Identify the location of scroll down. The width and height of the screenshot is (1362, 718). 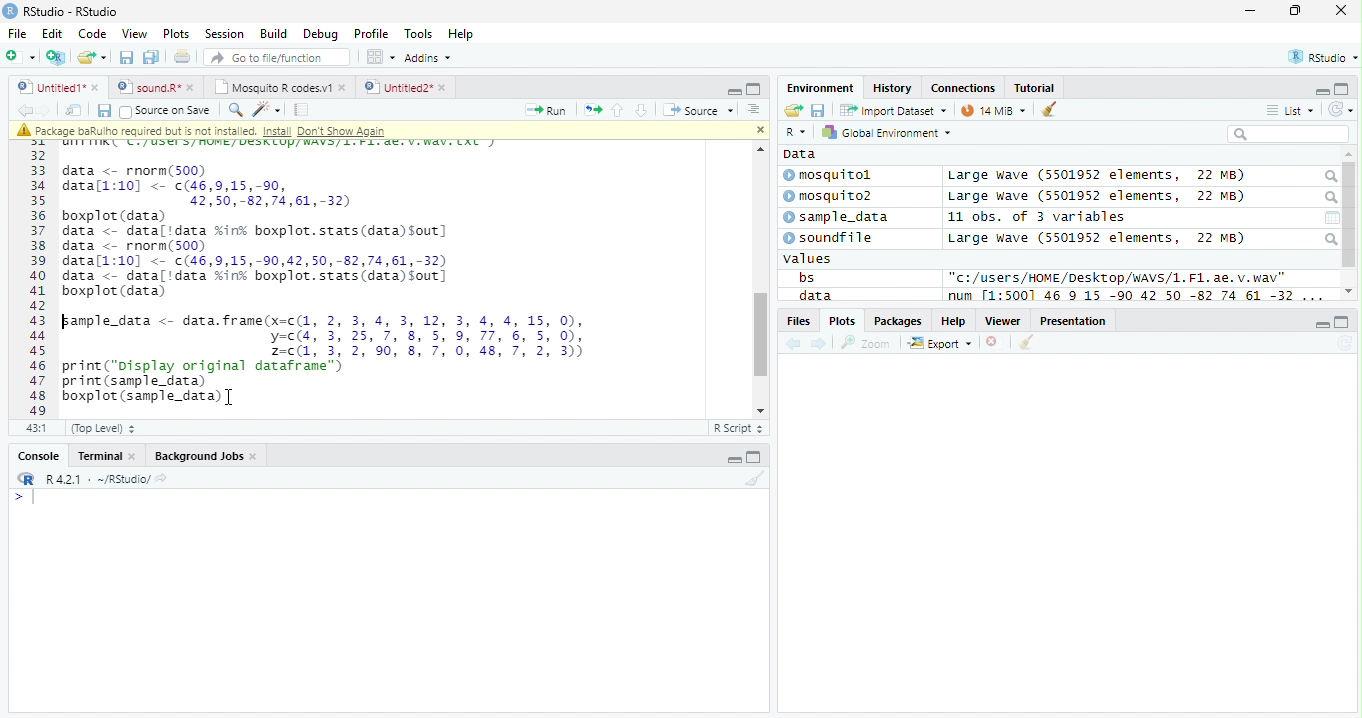
(1349, 291).